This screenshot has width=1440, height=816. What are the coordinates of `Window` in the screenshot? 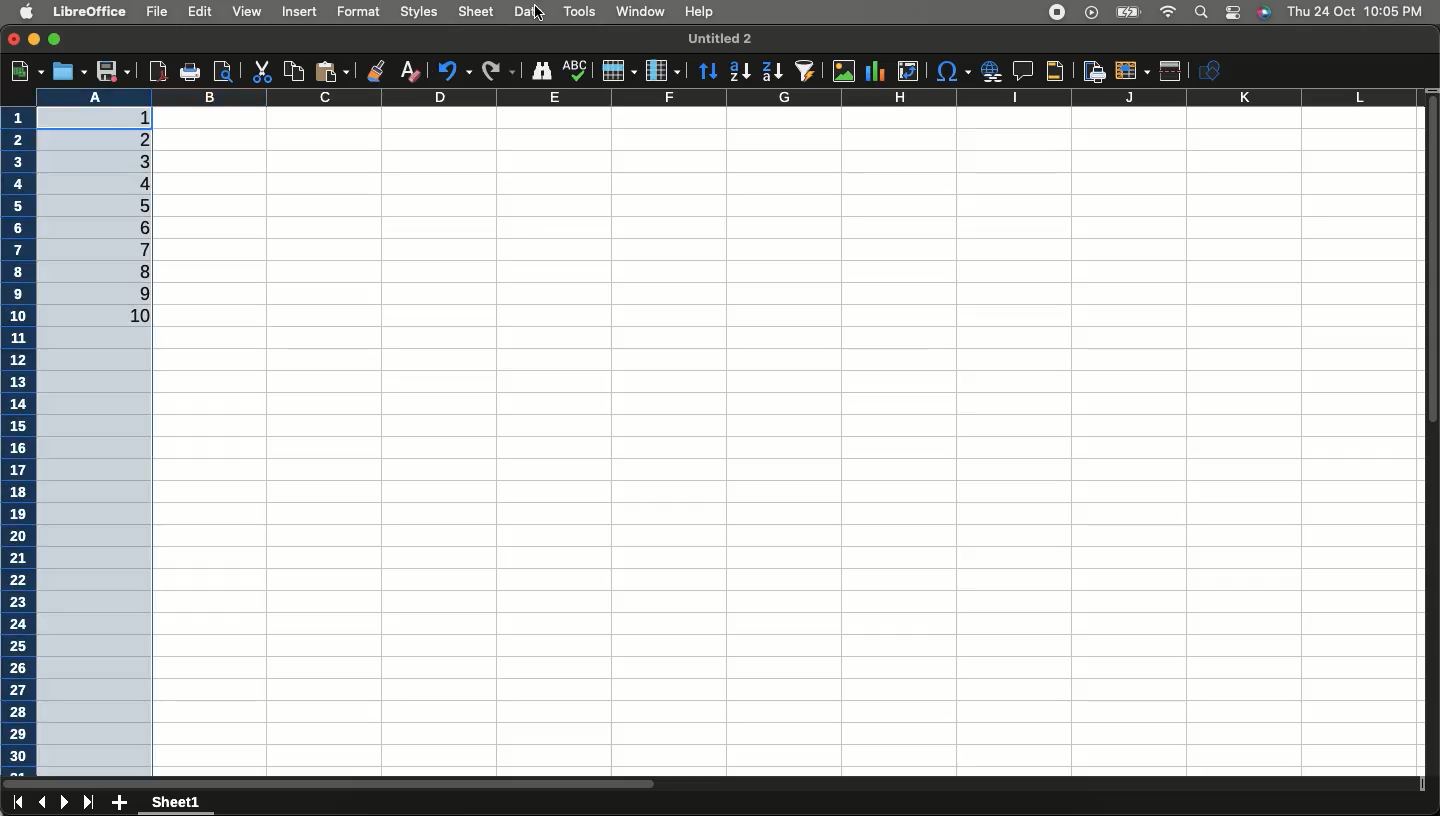 It's located at (639, 12).